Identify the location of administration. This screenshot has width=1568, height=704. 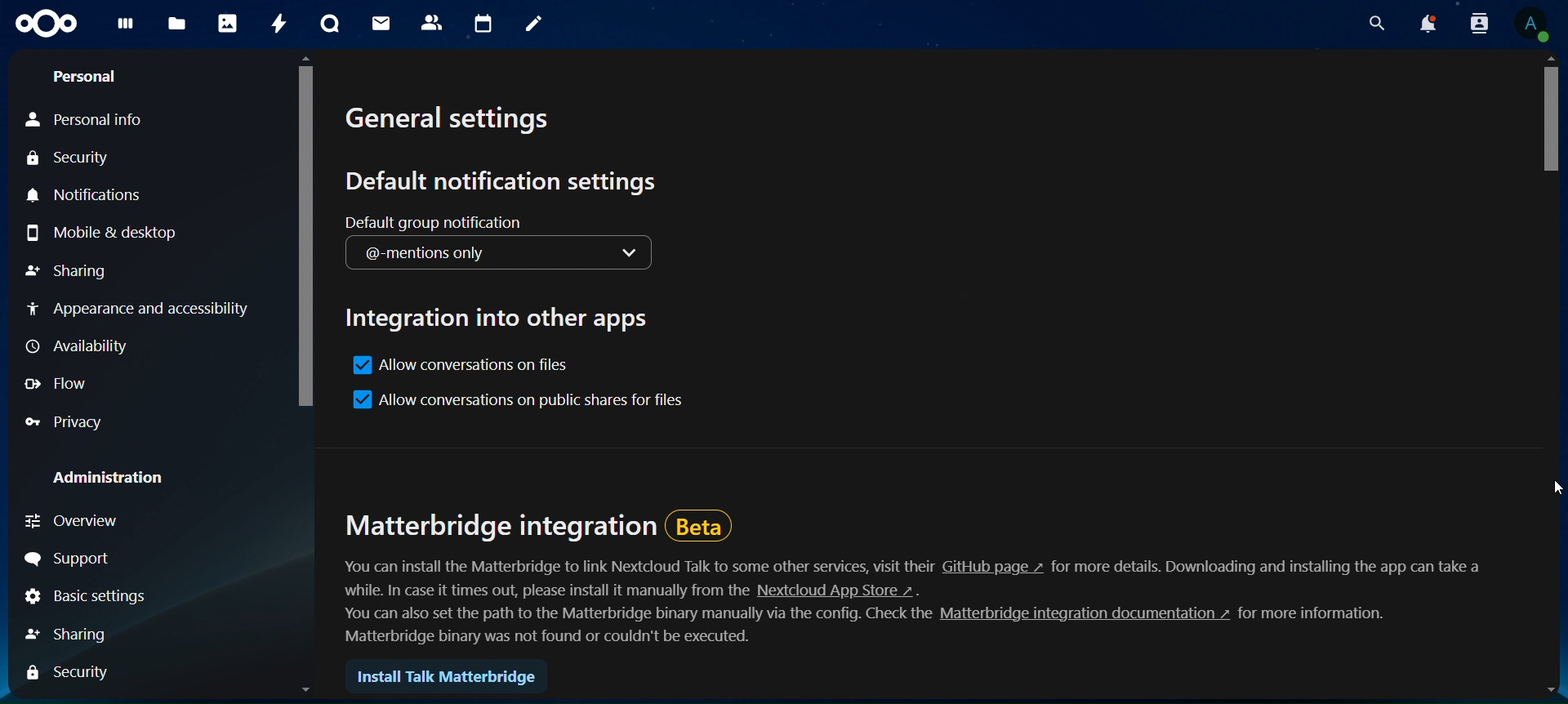
(114, 479).